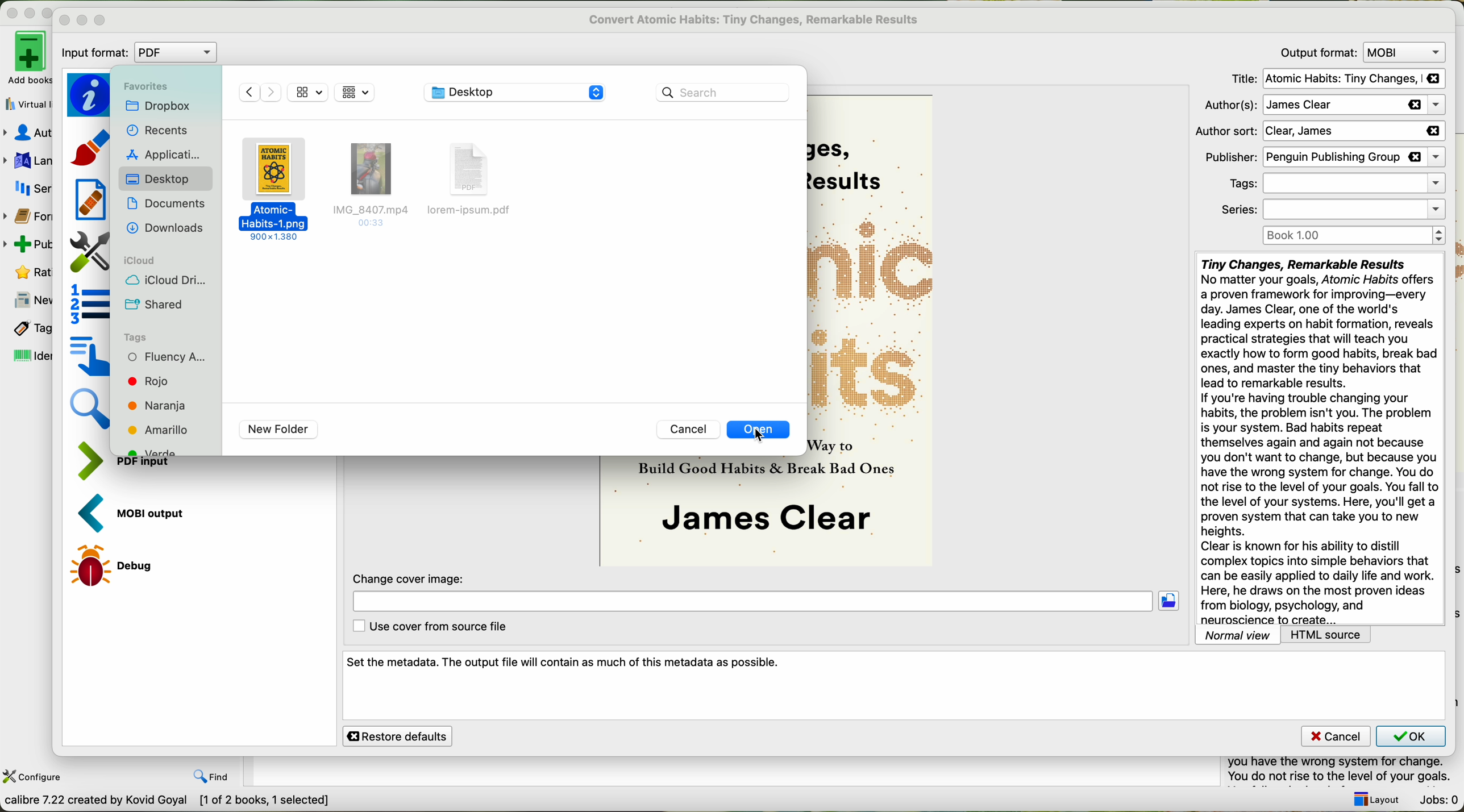 This screenshot has width=1464, height=812. Describe the element at coordinates (1354, 236) in the screenshot. I see `Book 1.00` at that location.